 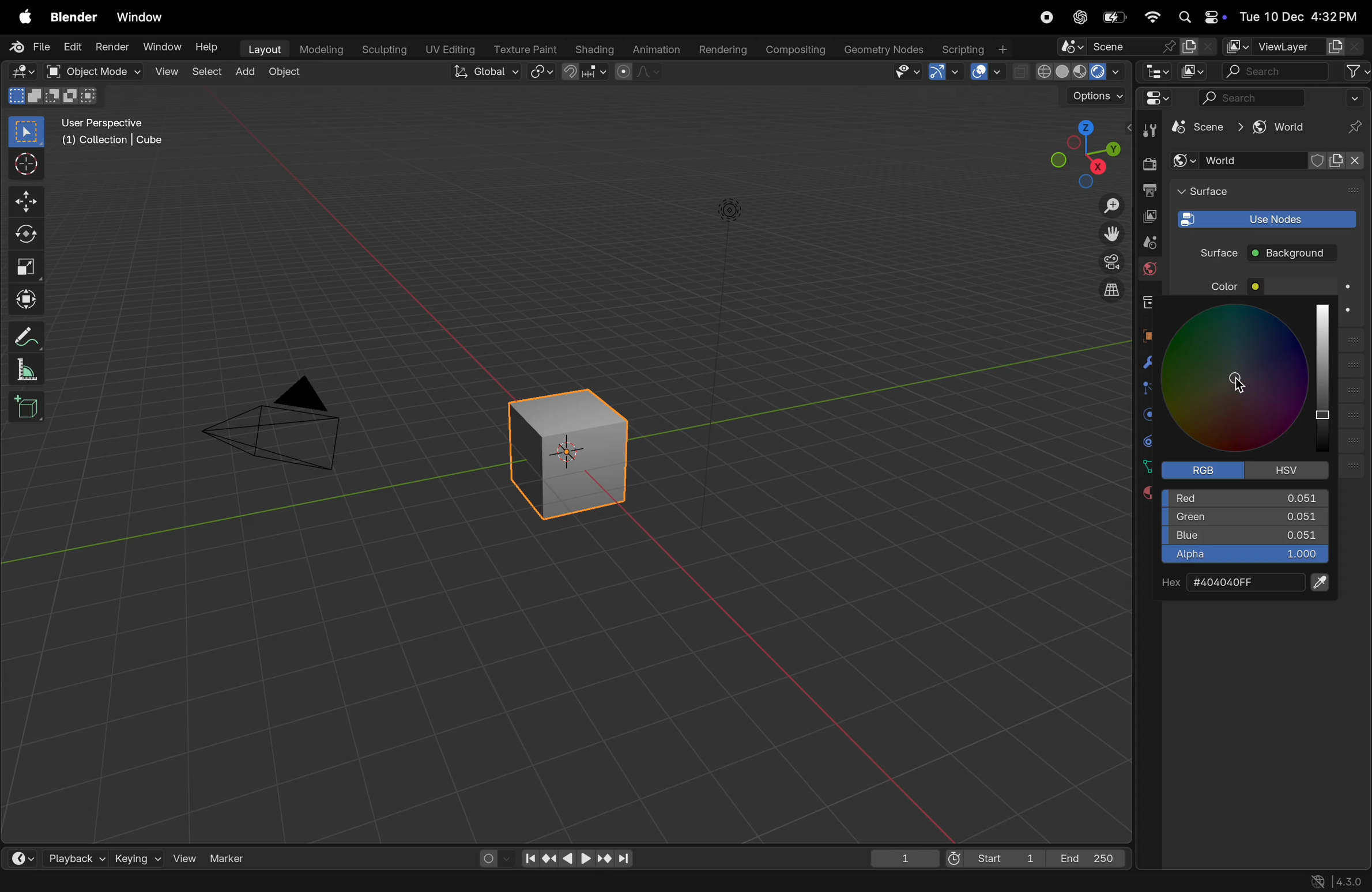 What do you see at coordinates (1199, 17) in the screenshot?
I see `apple widgets` at bounding box center [1199, 17].